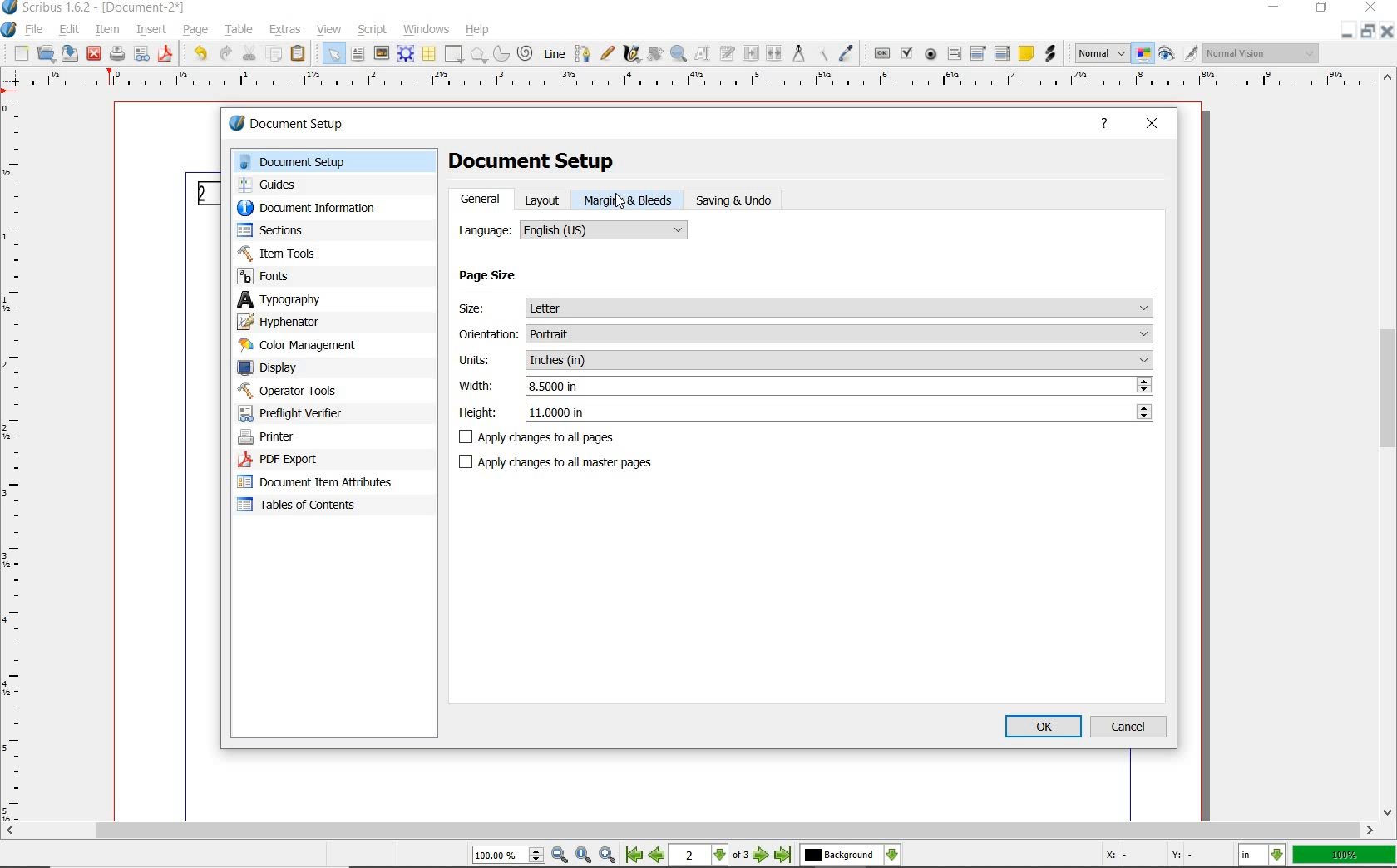 The width and height of the screenshot is (1397, 868). I want to click on scroll bar, so click(689, 832).